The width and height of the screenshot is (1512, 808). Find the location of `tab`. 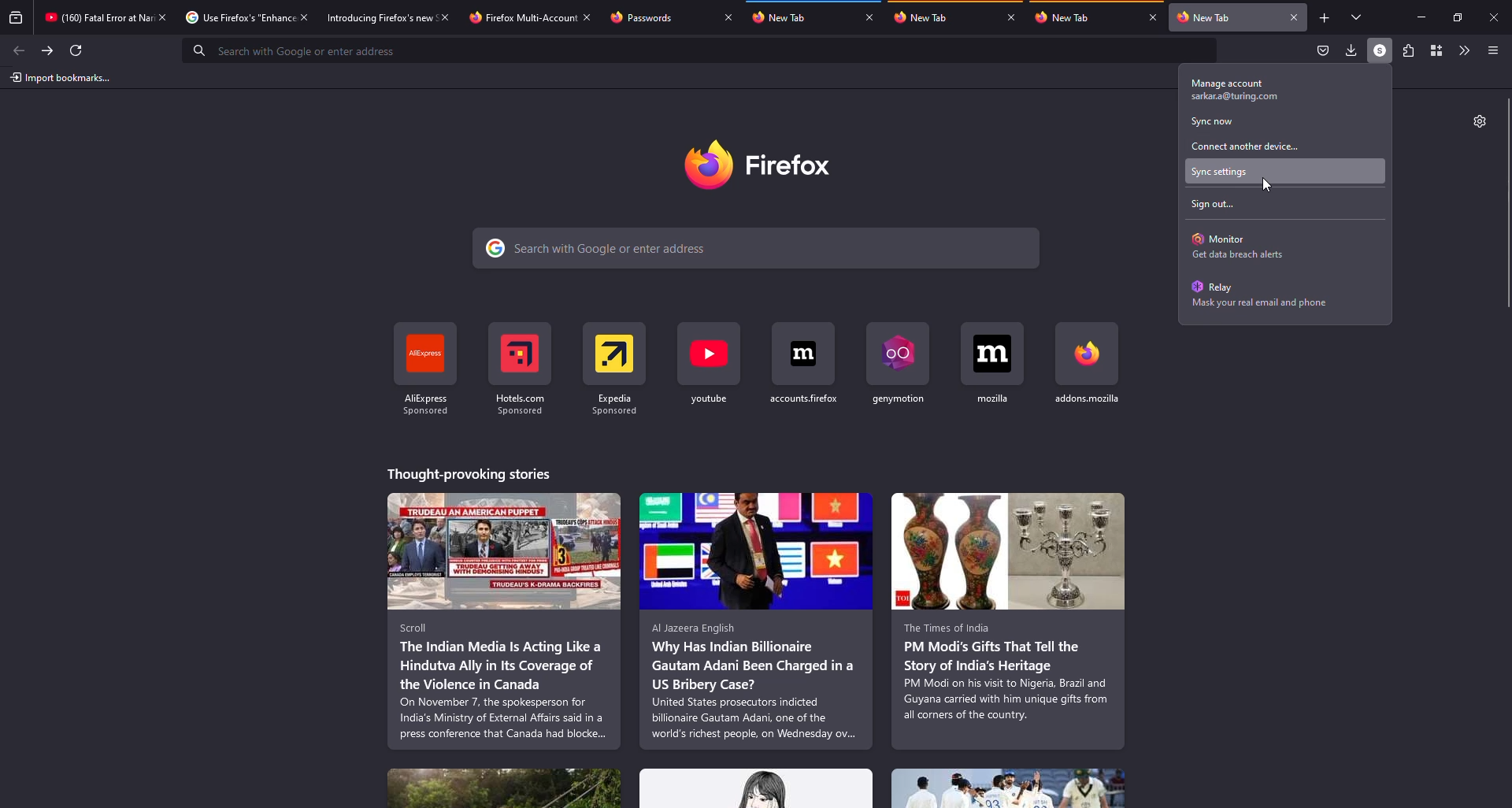

tab is located at coordinates (1206, 17).